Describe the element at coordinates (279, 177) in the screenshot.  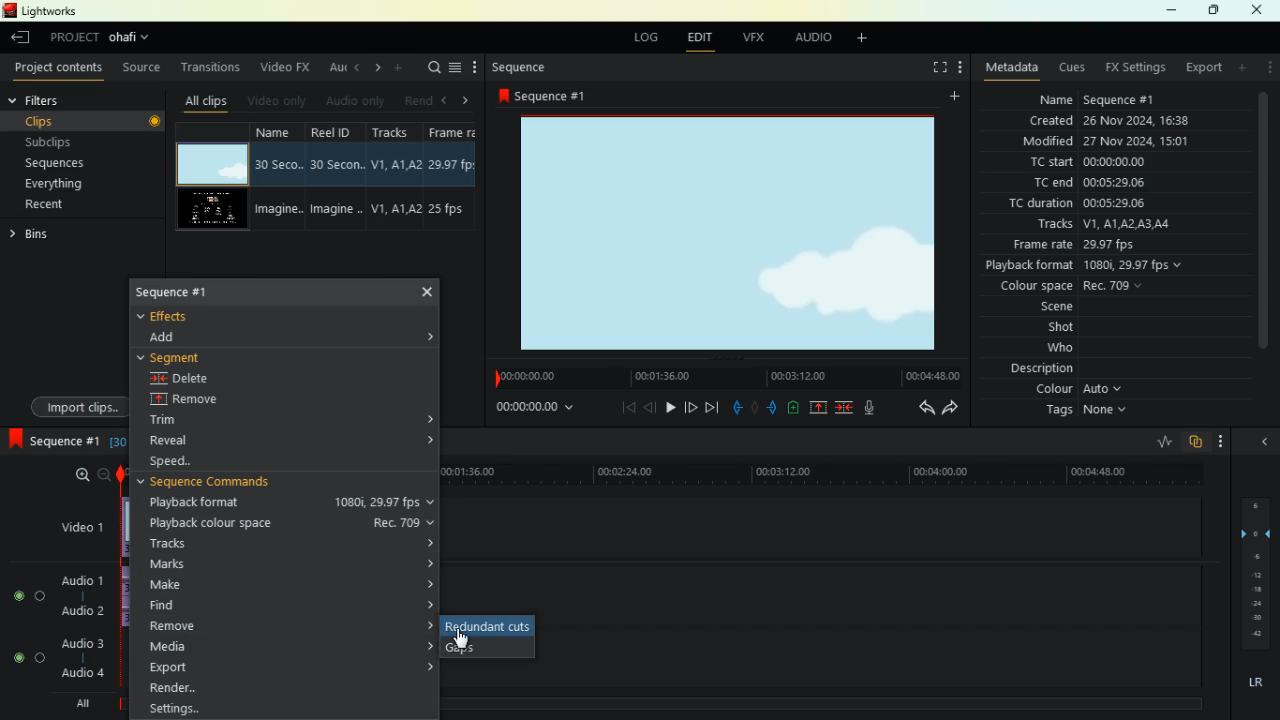
I see `name` at that location.